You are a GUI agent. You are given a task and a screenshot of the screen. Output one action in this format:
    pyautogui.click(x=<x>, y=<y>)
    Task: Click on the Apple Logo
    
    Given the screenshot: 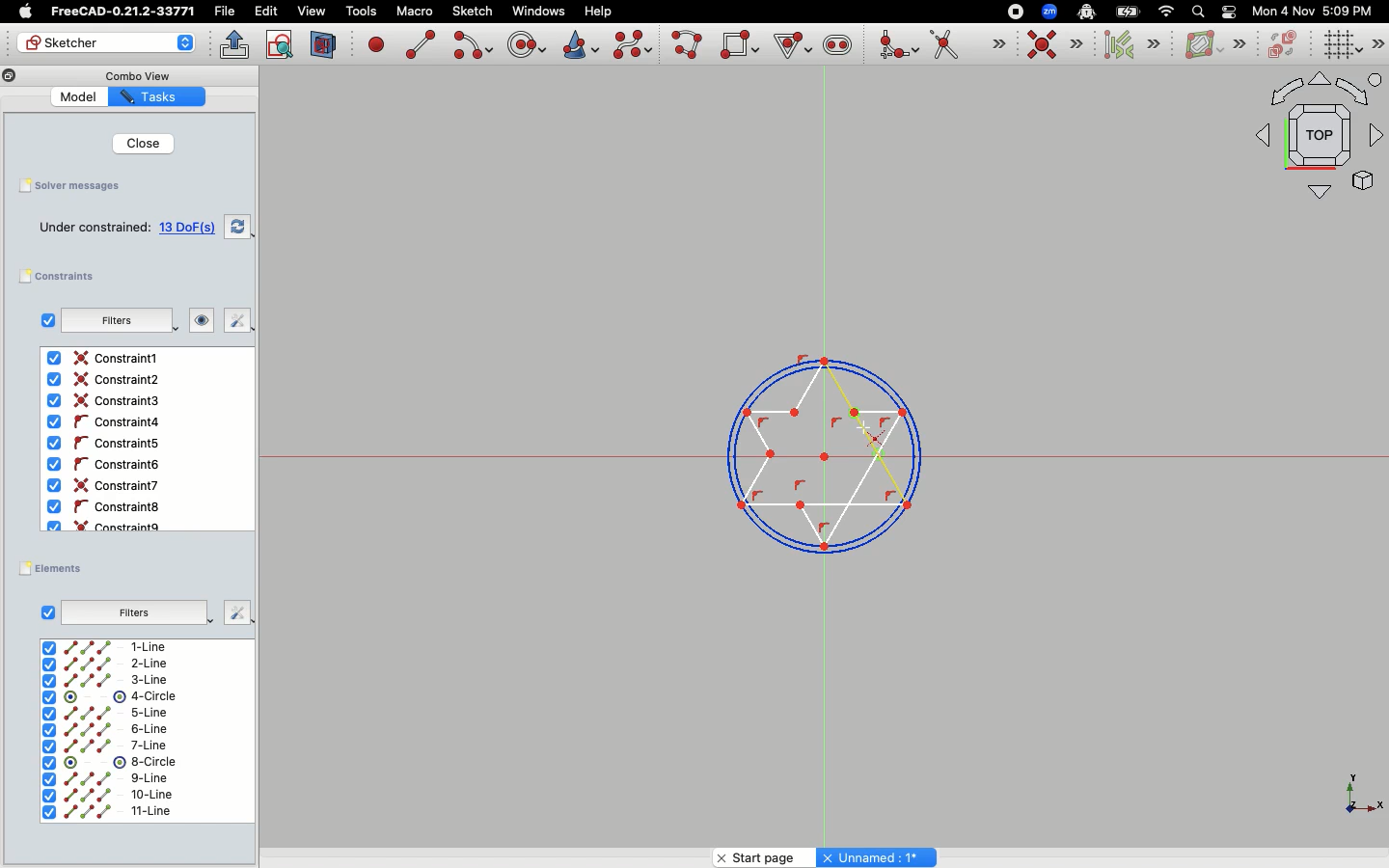 What is the action you would take?
    pyautogui.click(x=23, y=12)
    